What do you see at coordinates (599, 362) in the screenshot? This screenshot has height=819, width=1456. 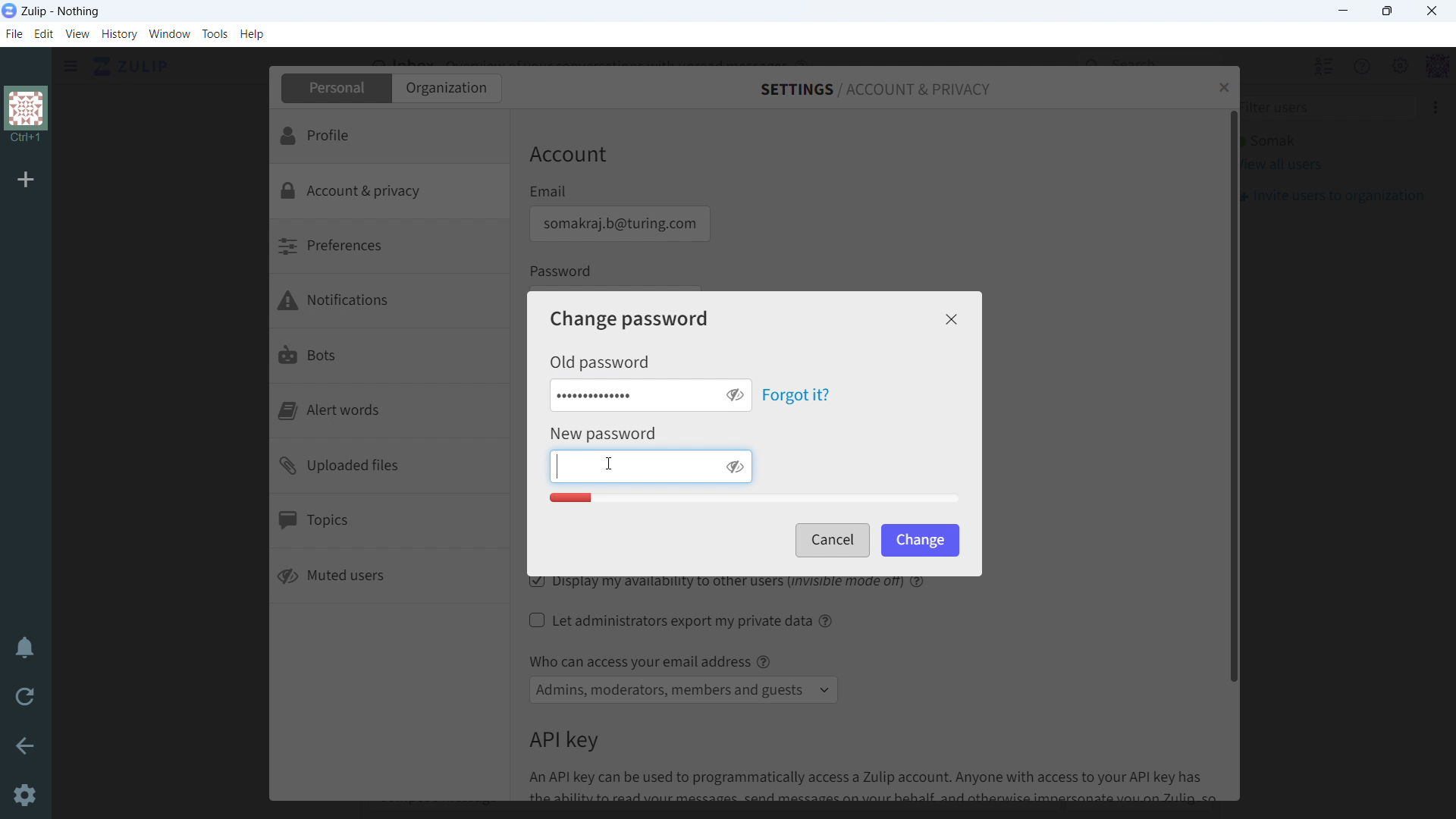 I see `Old password` at bounding box center [599, 362].